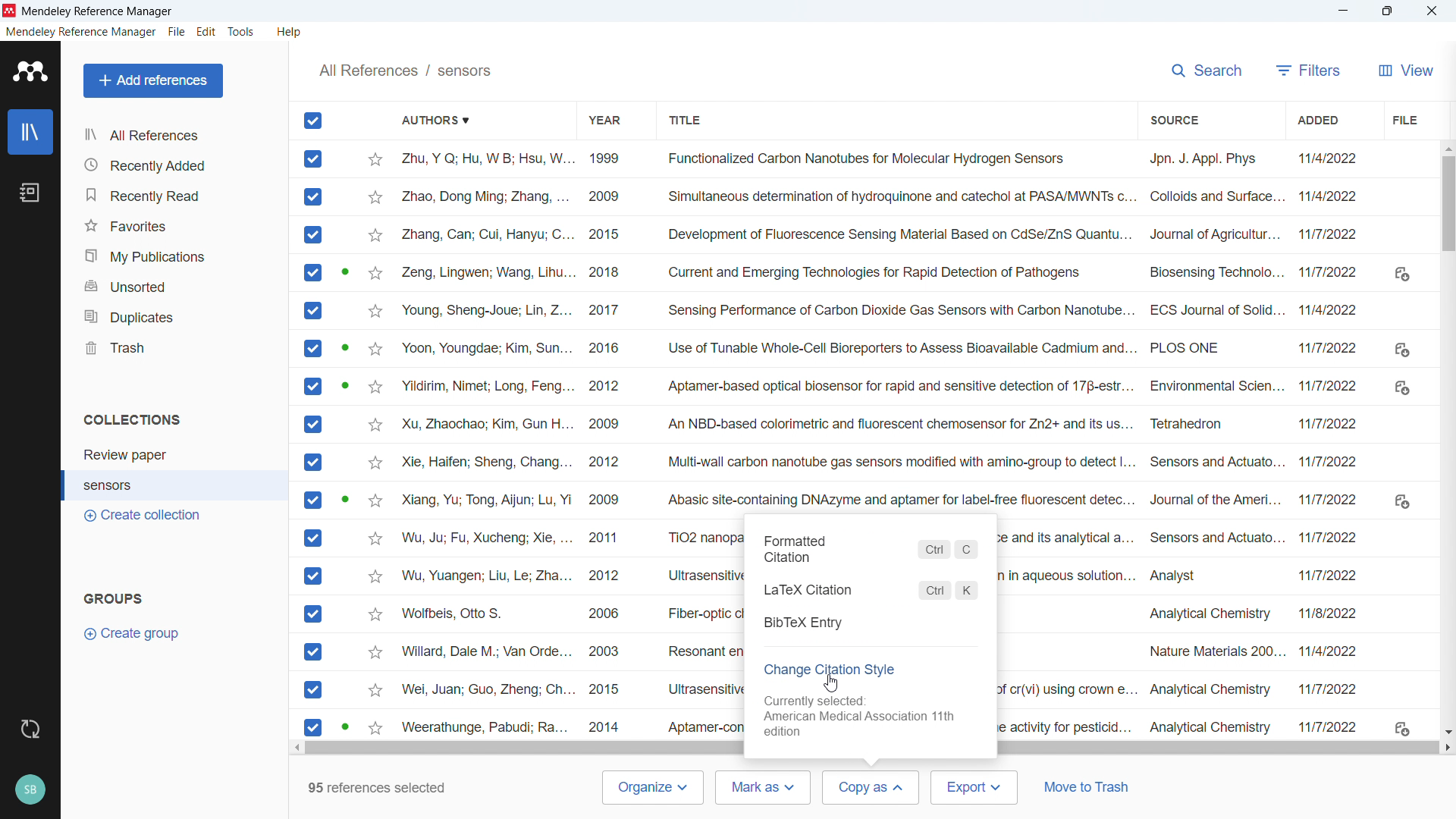  Describe the element at coordinates (154, 81) in the screenshot. I see `add references` at that location.